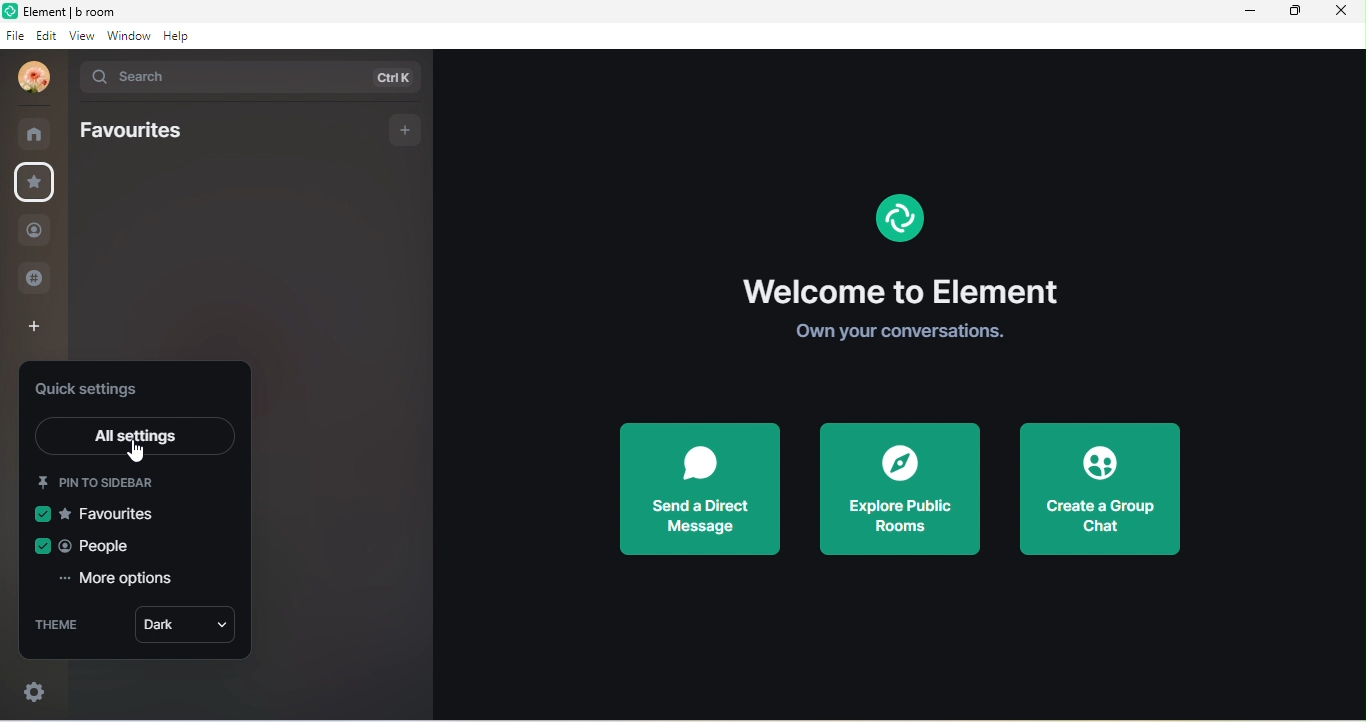 This screenshot has height=722, width=1366. Describe the element at coordinates (97, 387) in the screenshot. I see `quick settings` at that location.